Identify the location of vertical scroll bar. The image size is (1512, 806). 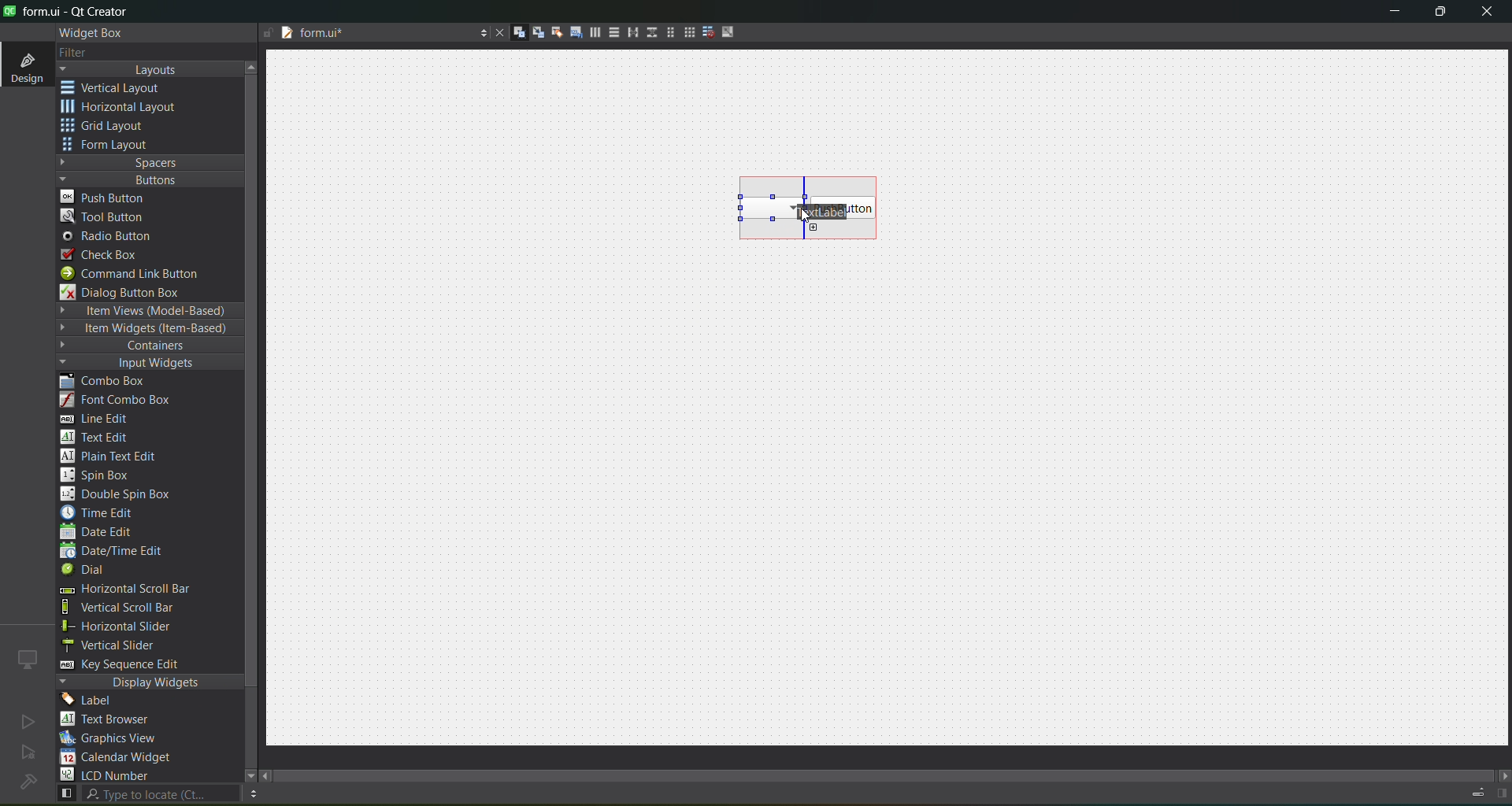
(135, 608).